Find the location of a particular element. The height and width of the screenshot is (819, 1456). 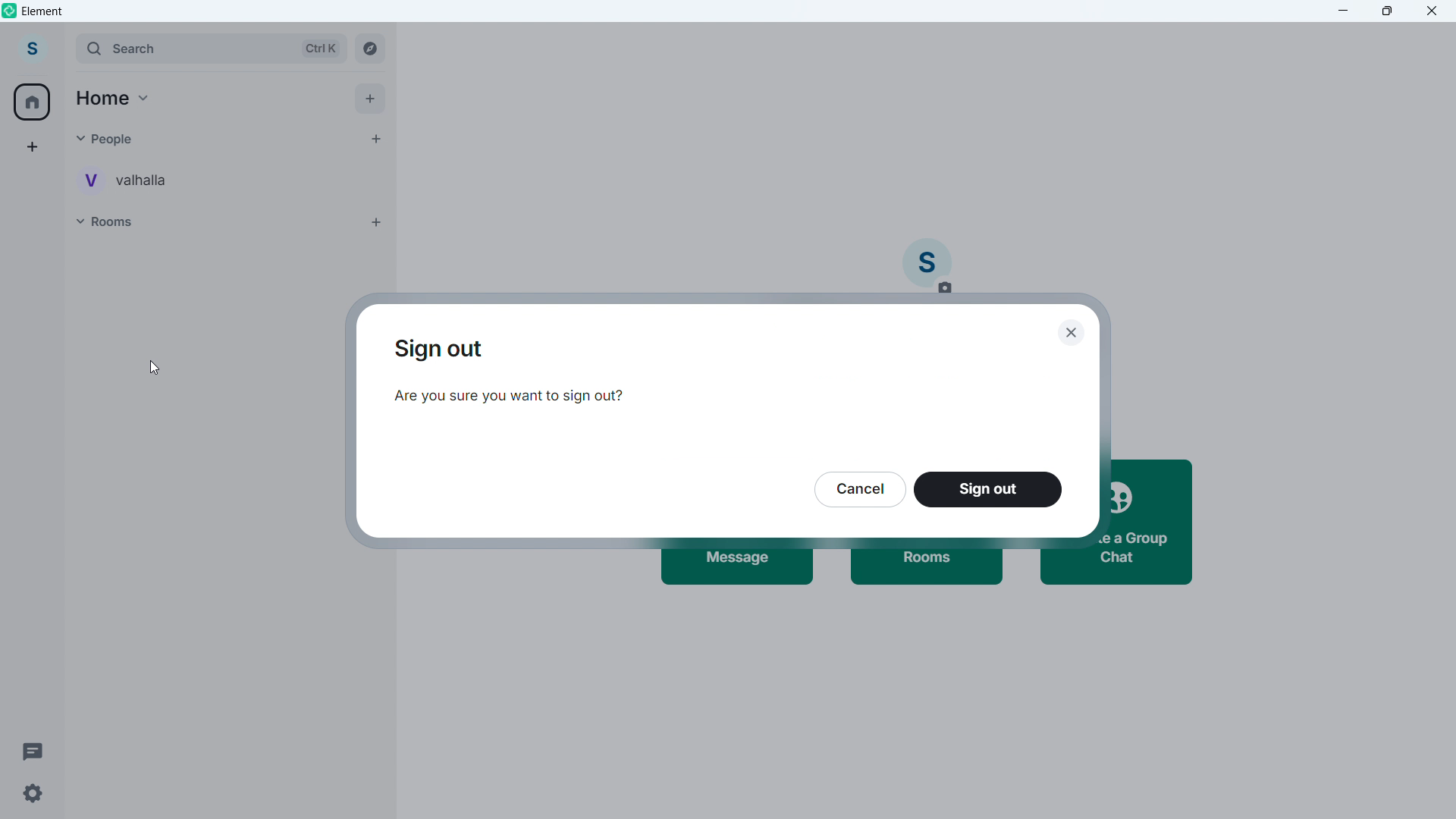

maximize is located at coordinates (1388, 11).